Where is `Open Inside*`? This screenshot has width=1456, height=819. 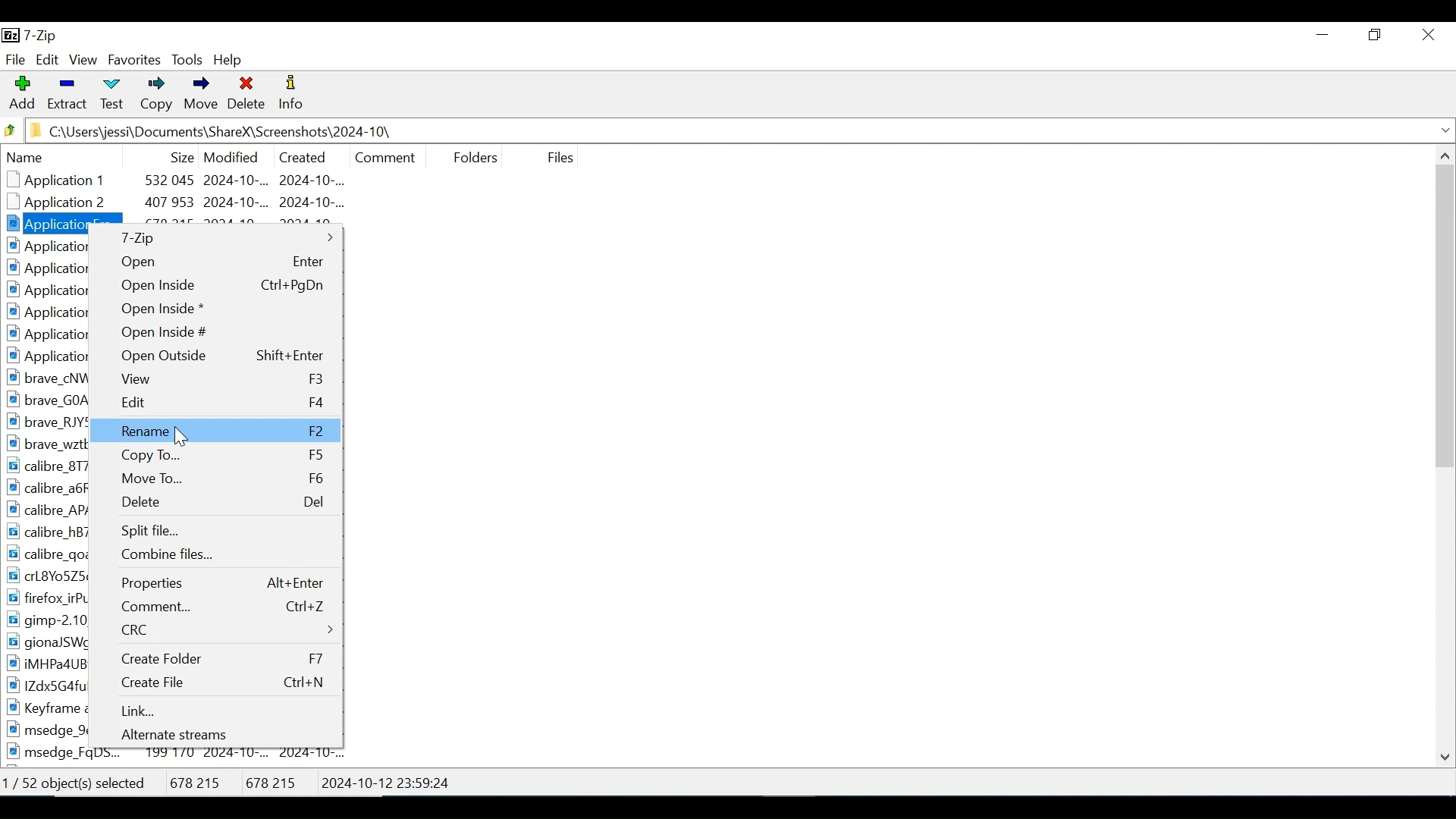
Open Inside* is located at coordinates (215, 309).